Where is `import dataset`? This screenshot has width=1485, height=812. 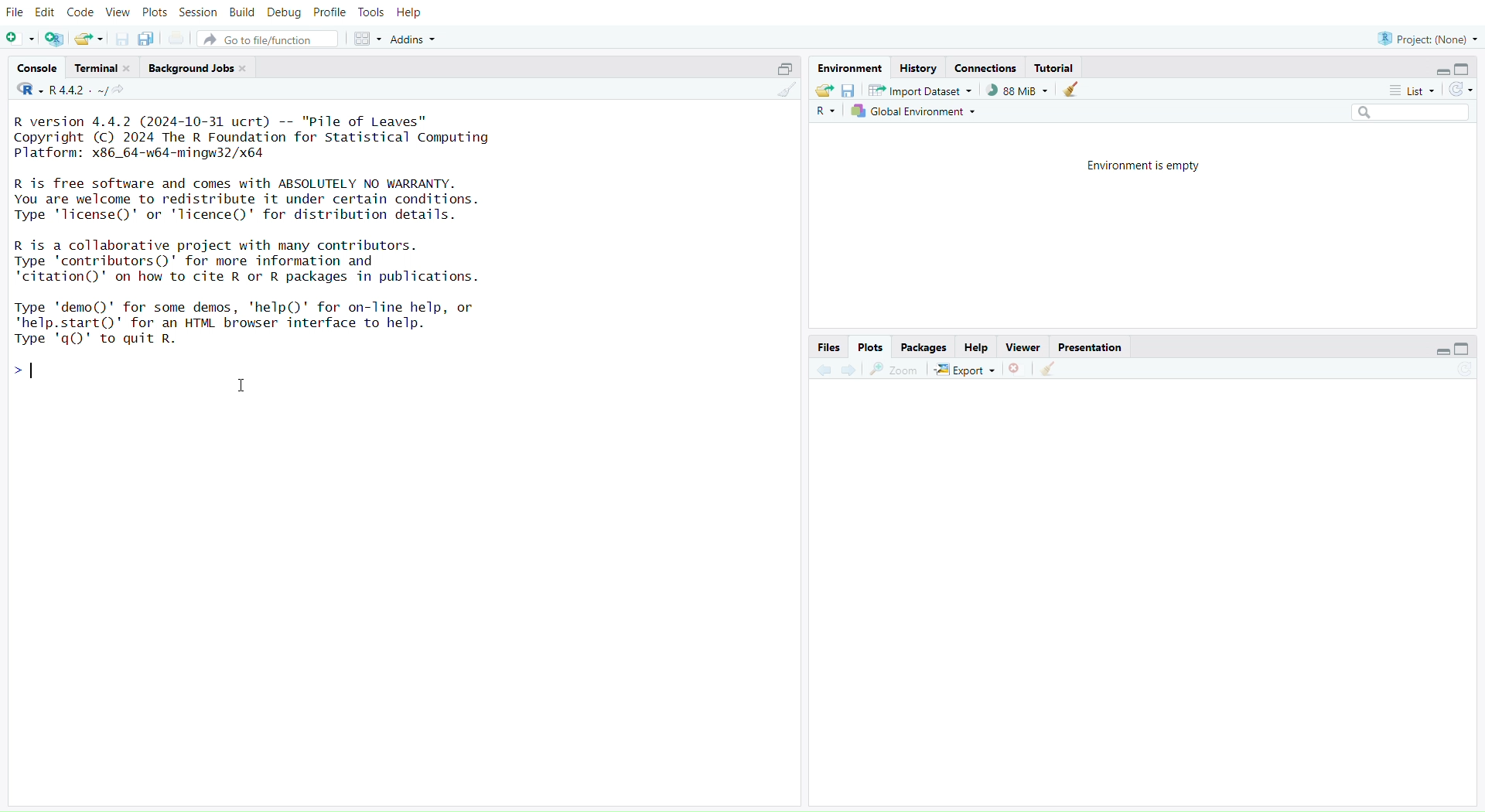
import dataset is located at coordinates (920, 91).